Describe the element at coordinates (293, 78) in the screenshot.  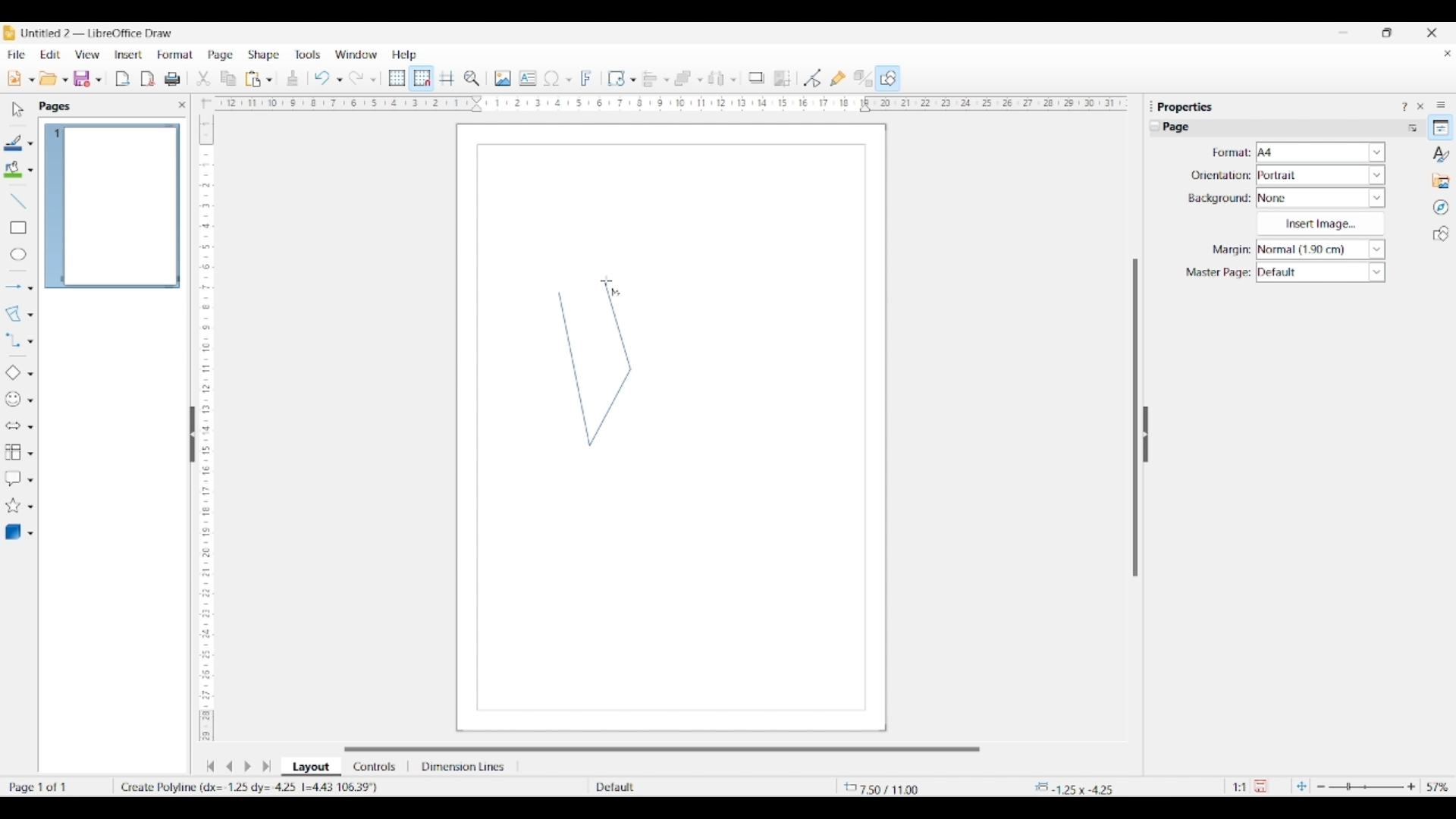
I see `Clone formatting` at that location.